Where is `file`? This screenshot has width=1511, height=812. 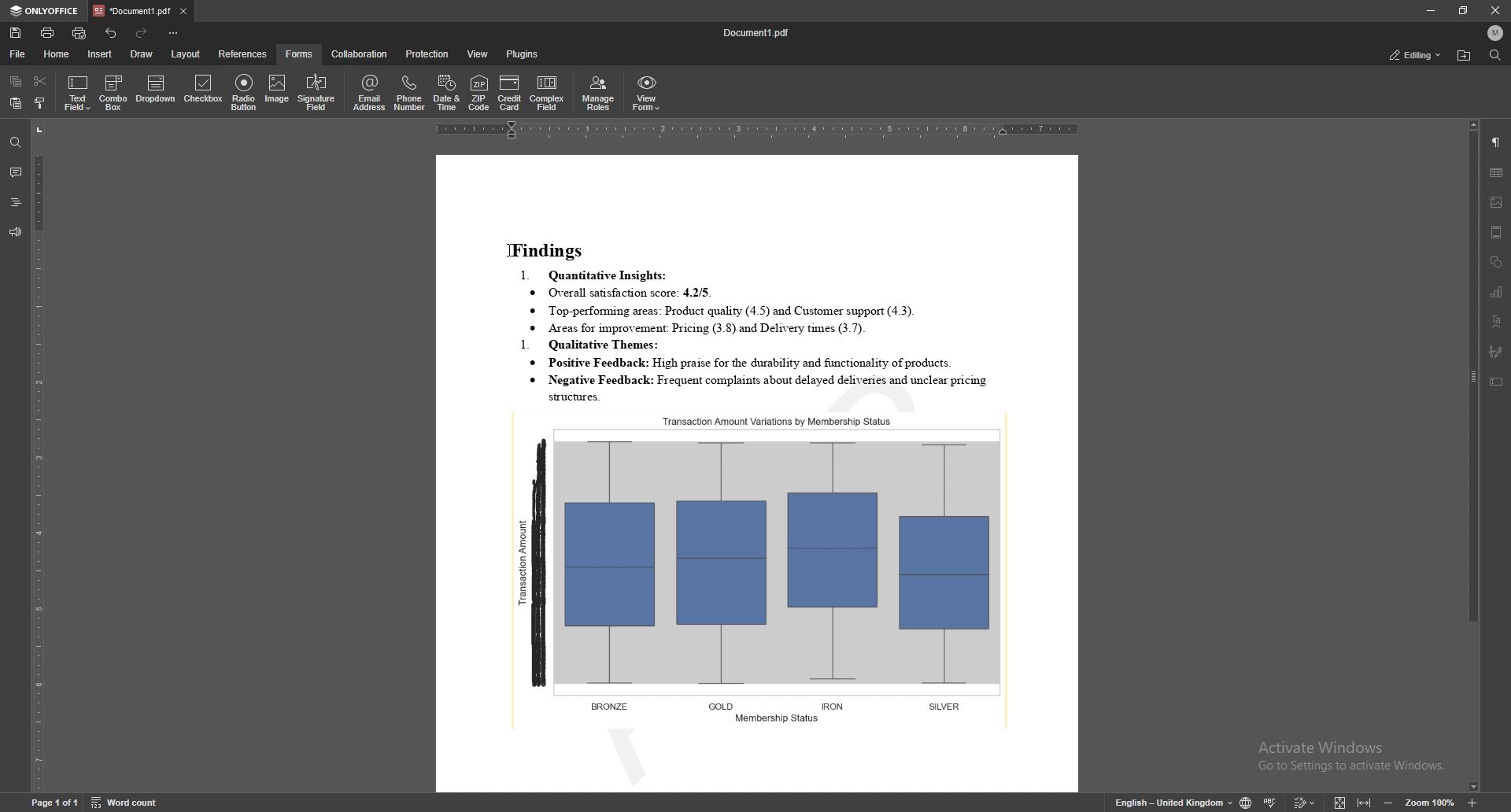 file is located at coordinates (18, 54).